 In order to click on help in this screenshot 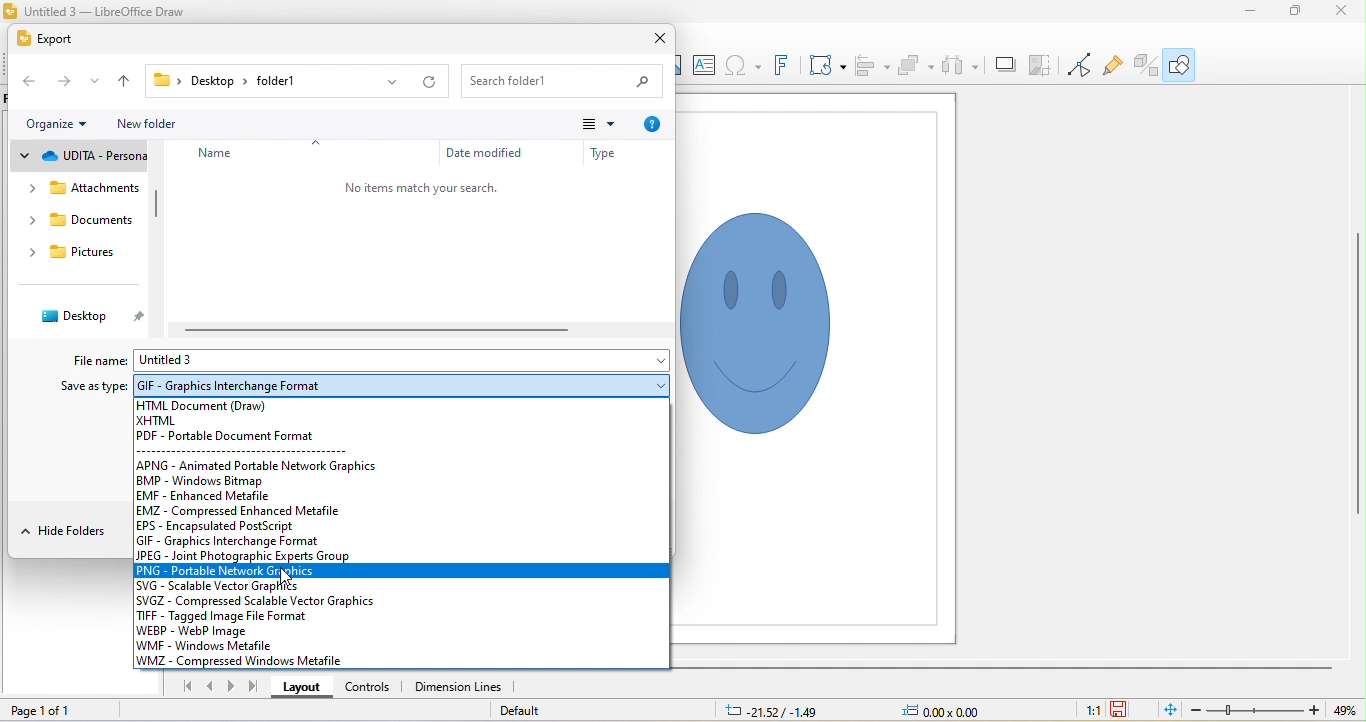, I will do `click(654, 125)`.